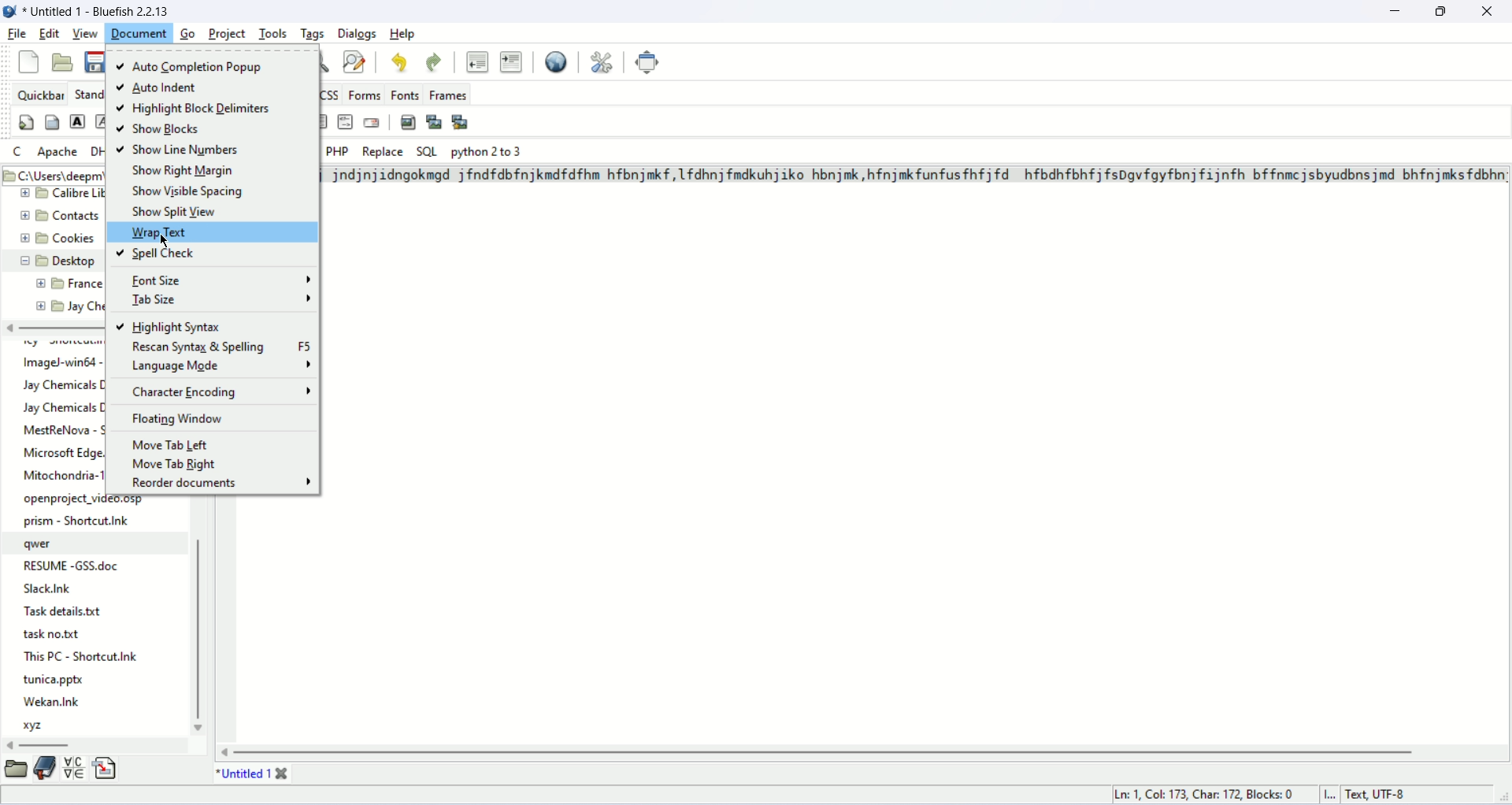  I want to click on replace, so click(384, 152).